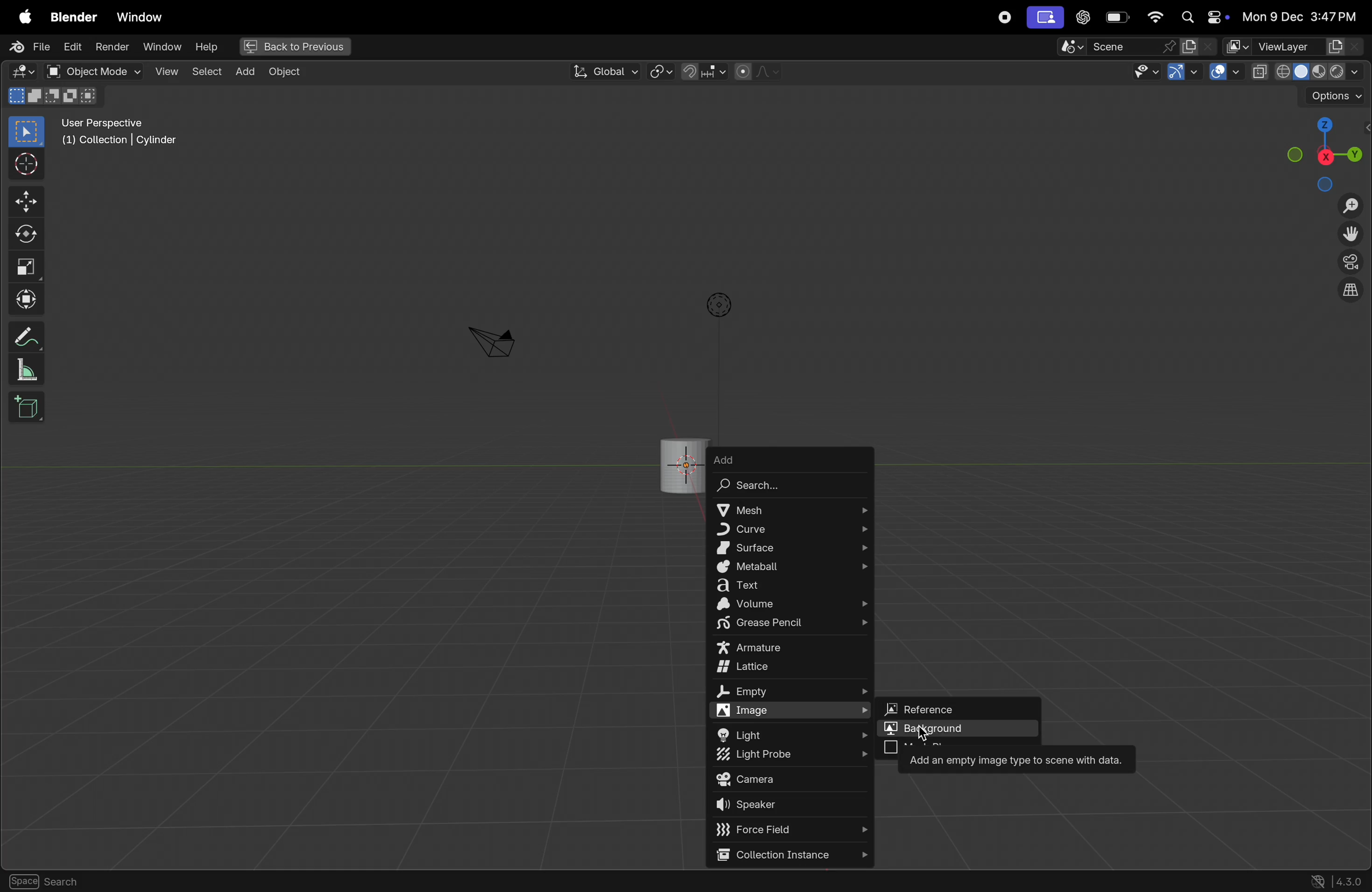 The height and width of the screenshot is (892, 1372). I want to click on help, so click(206, 46).